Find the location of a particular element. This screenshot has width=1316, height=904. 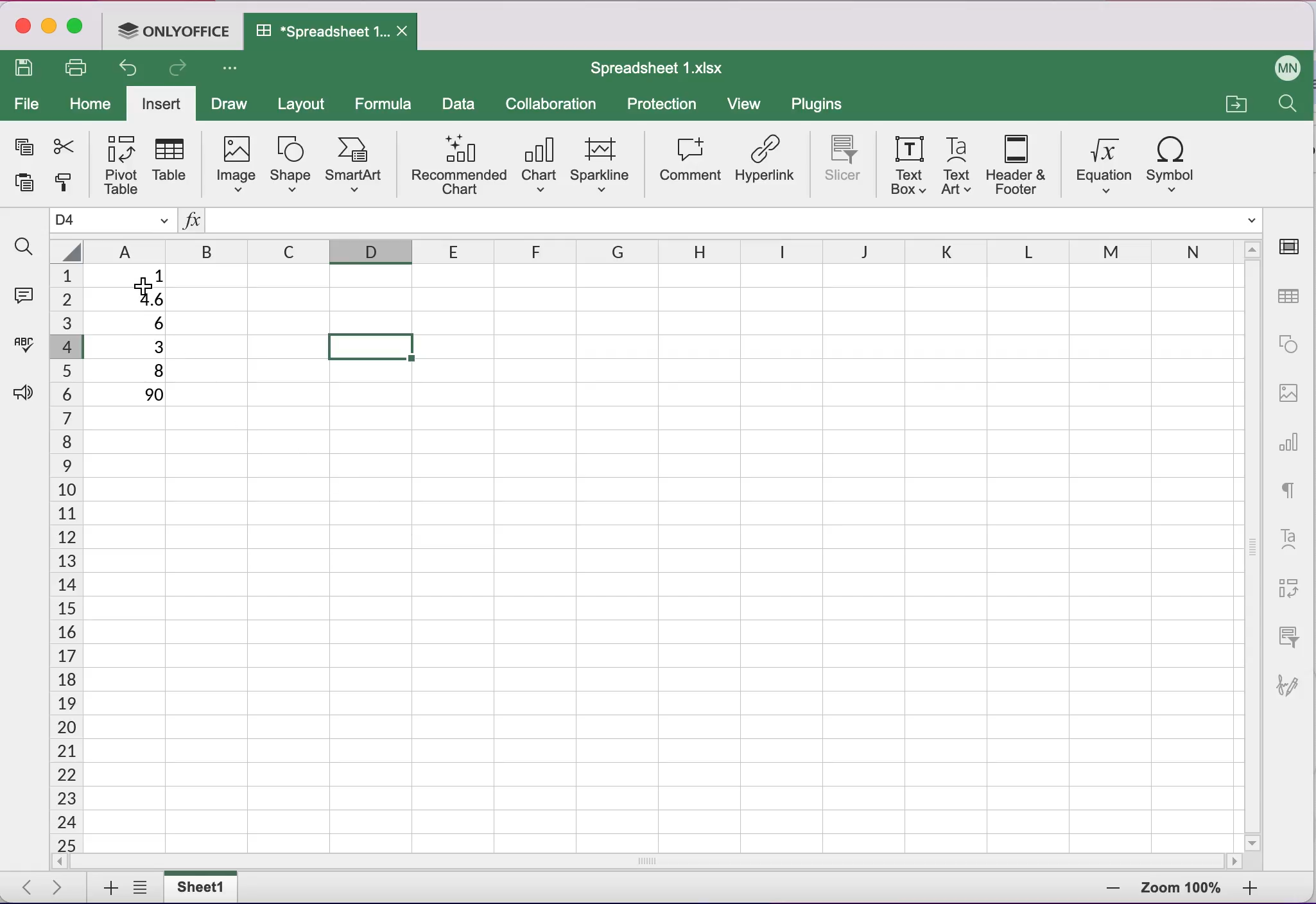

slicer is located at coordinates (839, 161).